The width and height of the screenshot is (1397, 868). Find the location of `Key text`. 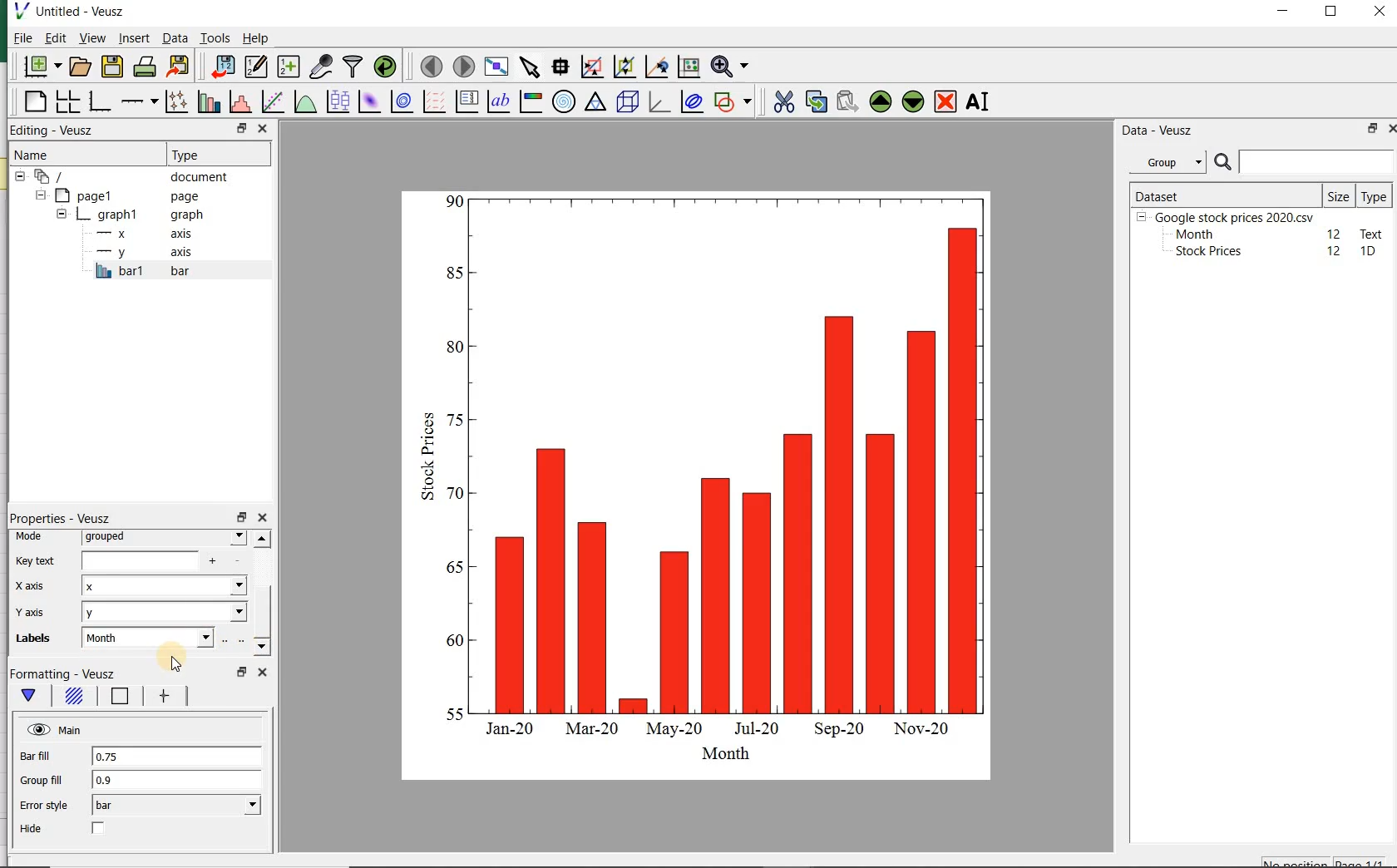

Key text is located at coordinates (35, 562).